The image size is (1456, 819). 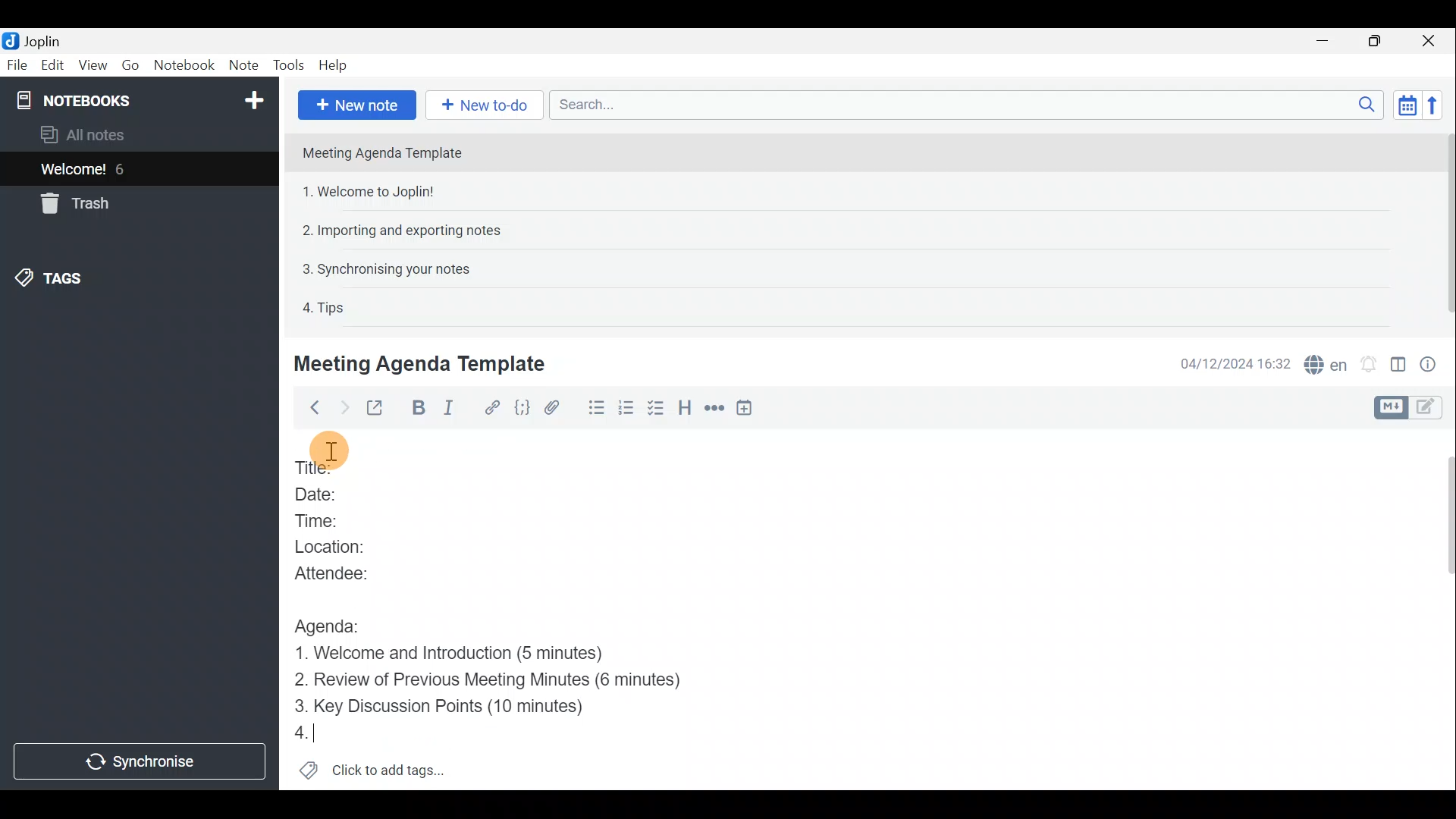 What do you see at coordinates (1429, 409) in the screenshot?
I see `Toggle editors` at bounding box center [1429, 409].